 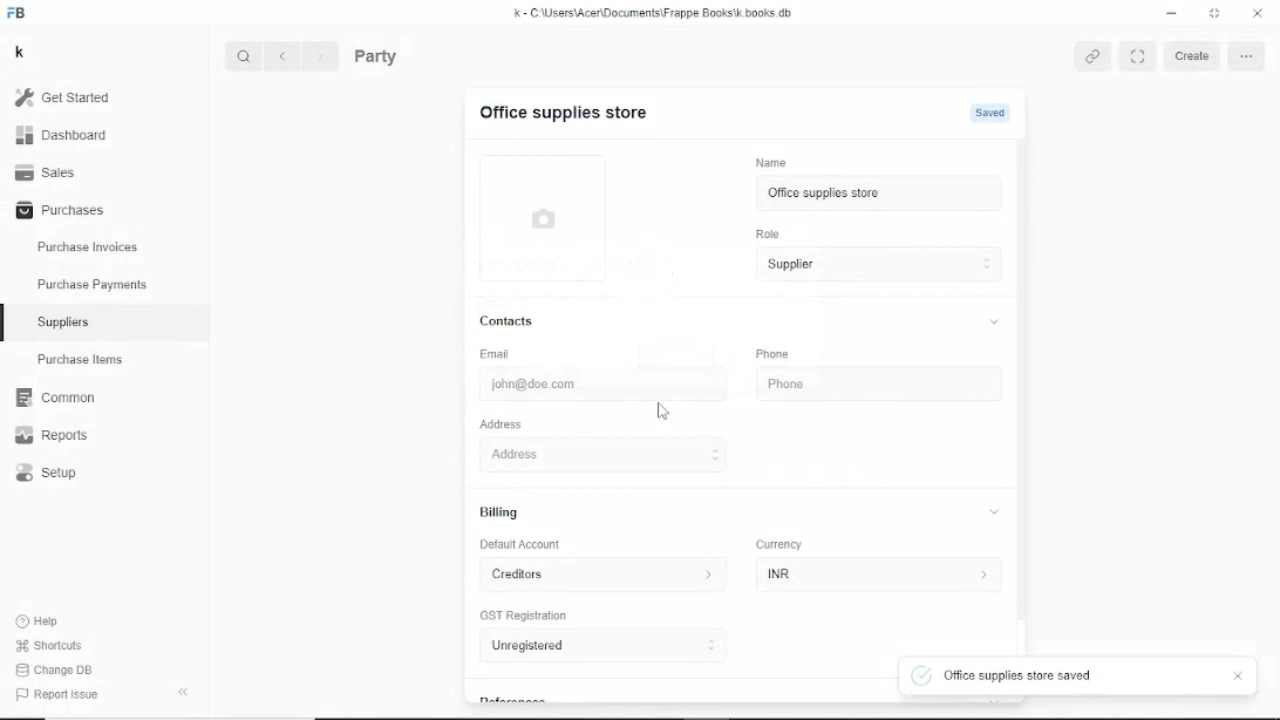 I want to click on Creditors, so click(x=603, y=575).